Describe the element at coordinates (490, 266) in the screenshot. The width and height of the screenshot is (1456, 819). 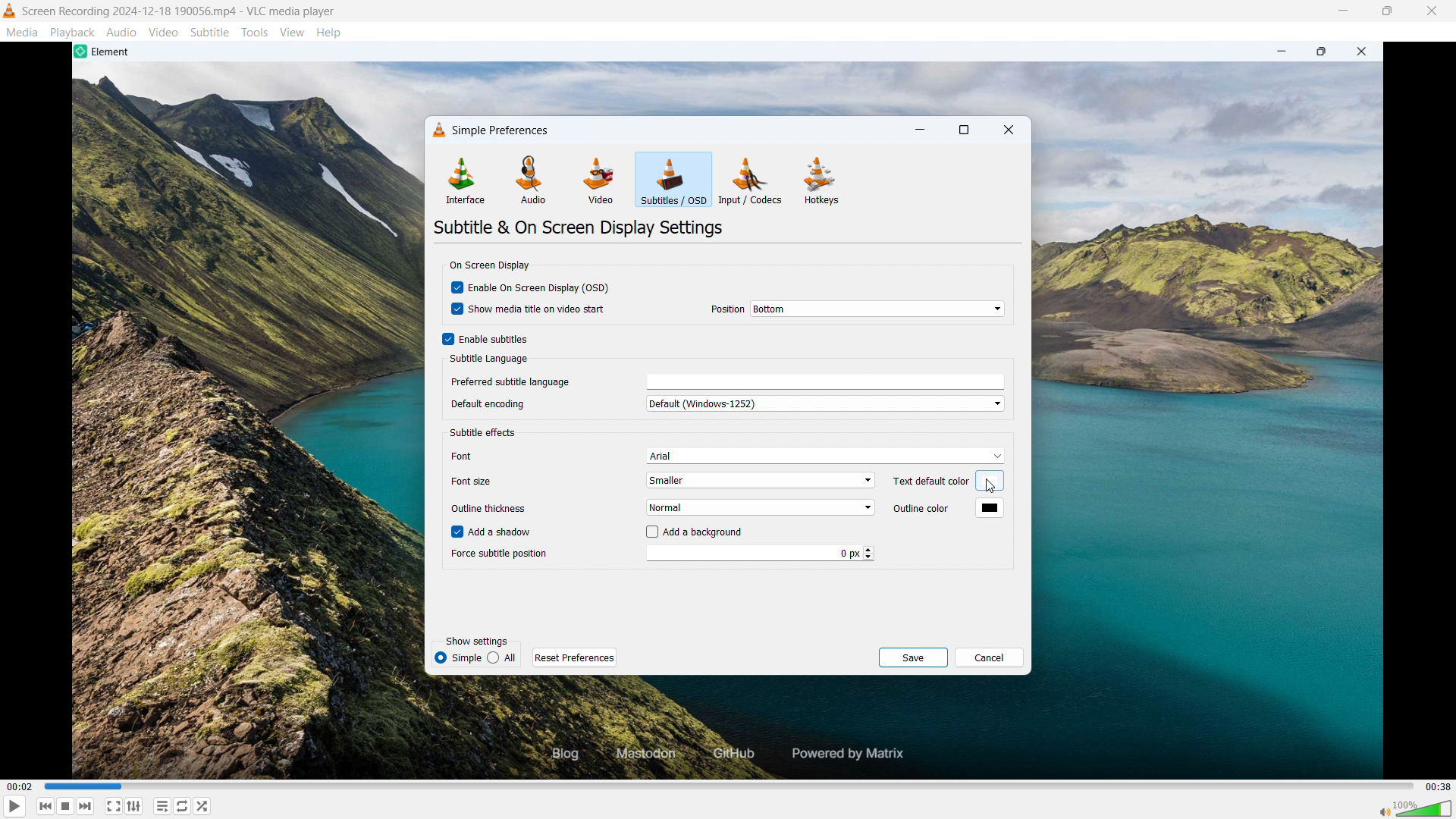
I see `On screen display ` at that location.